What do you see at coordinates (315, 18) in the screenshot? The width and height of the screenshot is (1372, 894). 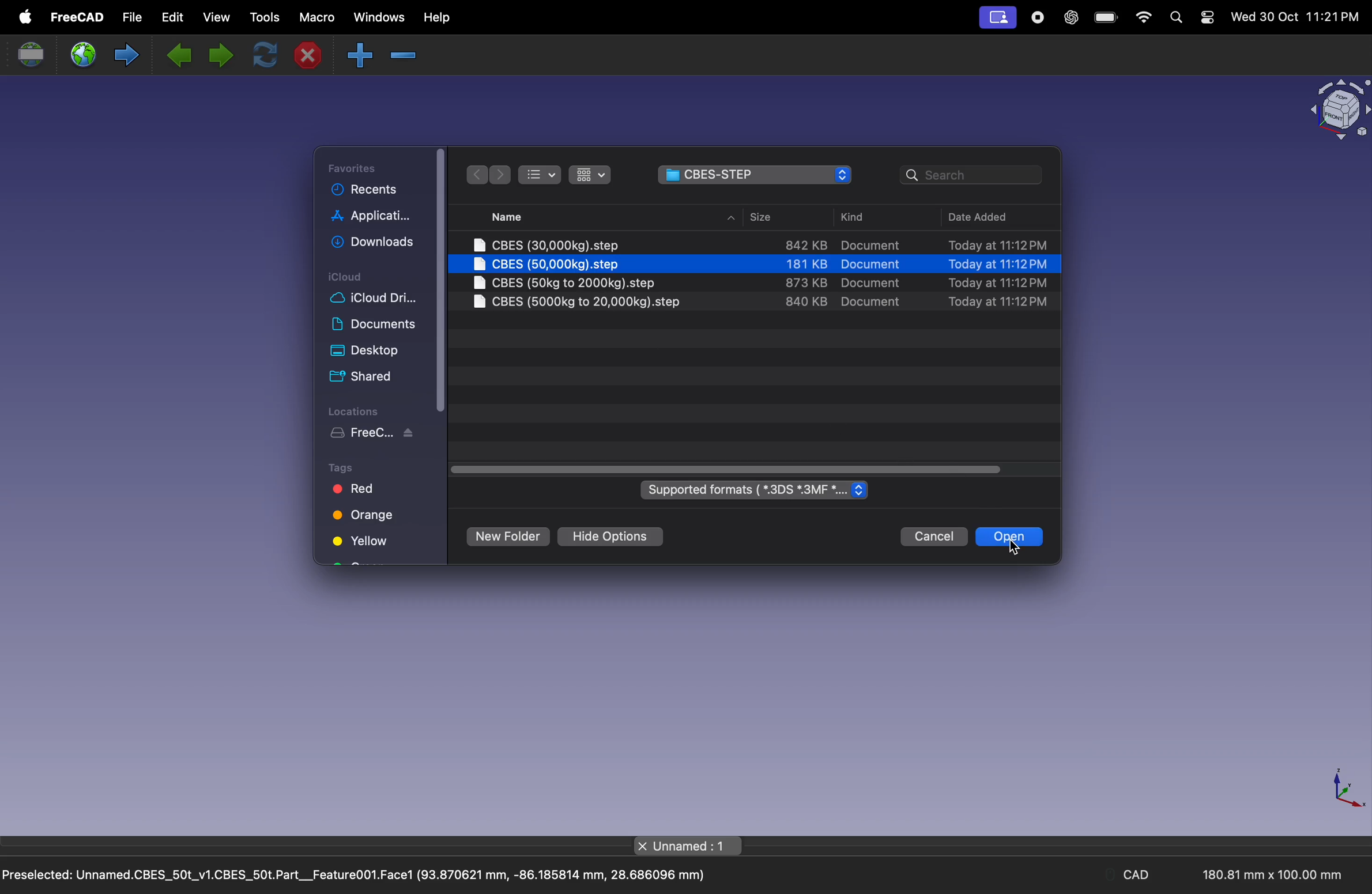 I see `marco` at bounding box center [315, 18].